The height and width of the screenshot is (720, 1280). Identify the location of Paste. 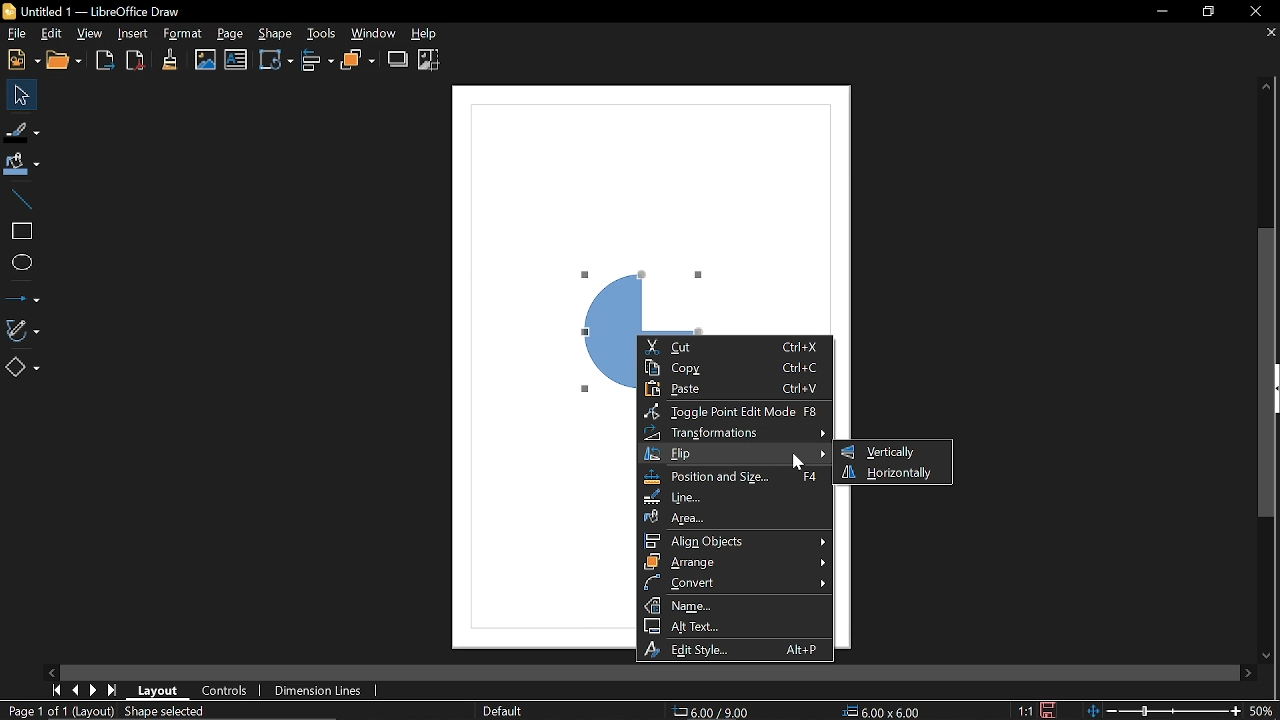
(735, 390).